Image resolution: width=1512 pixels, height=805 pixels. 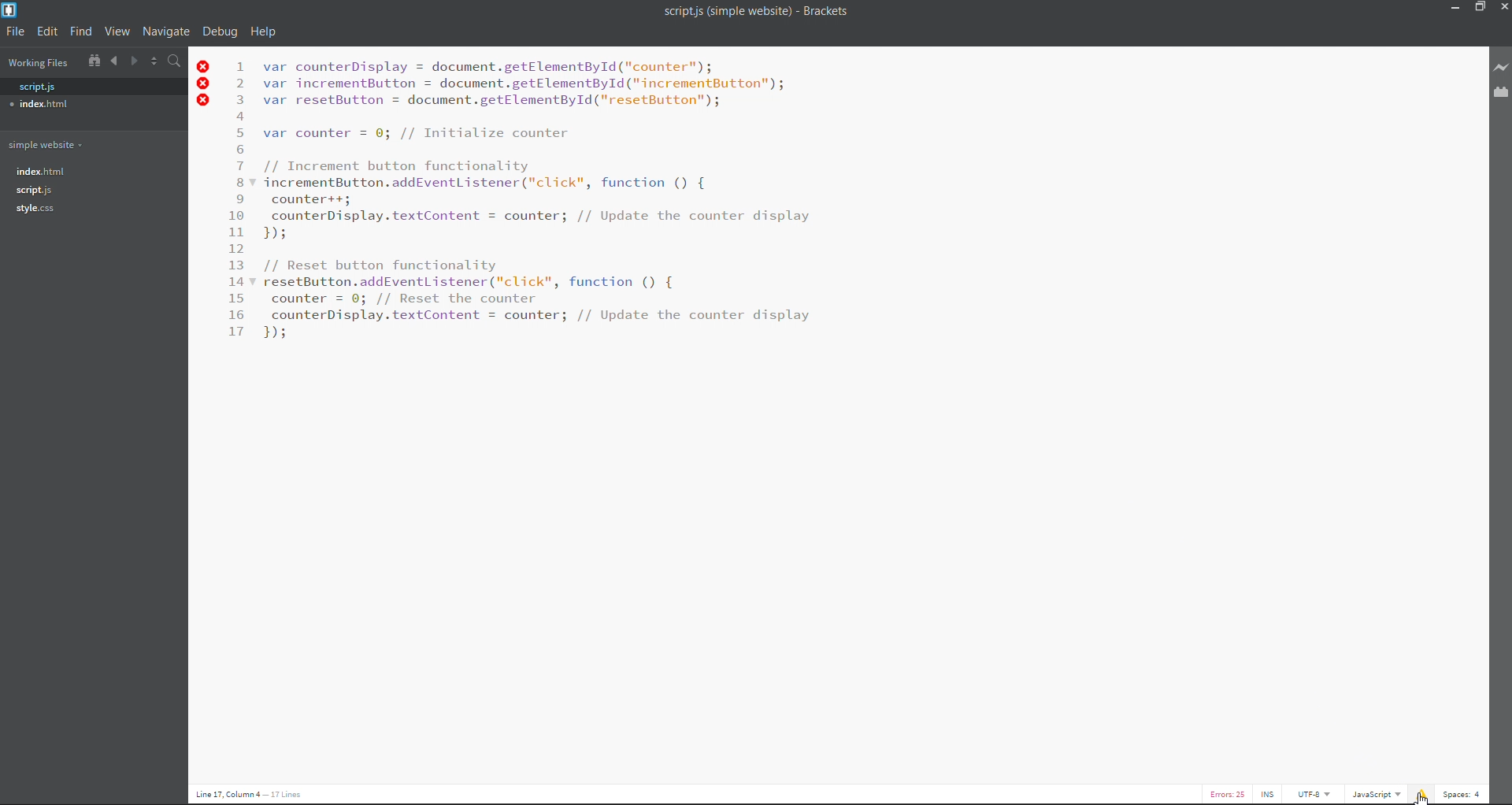 I want to click on style.css, so click(x=37, y=209).